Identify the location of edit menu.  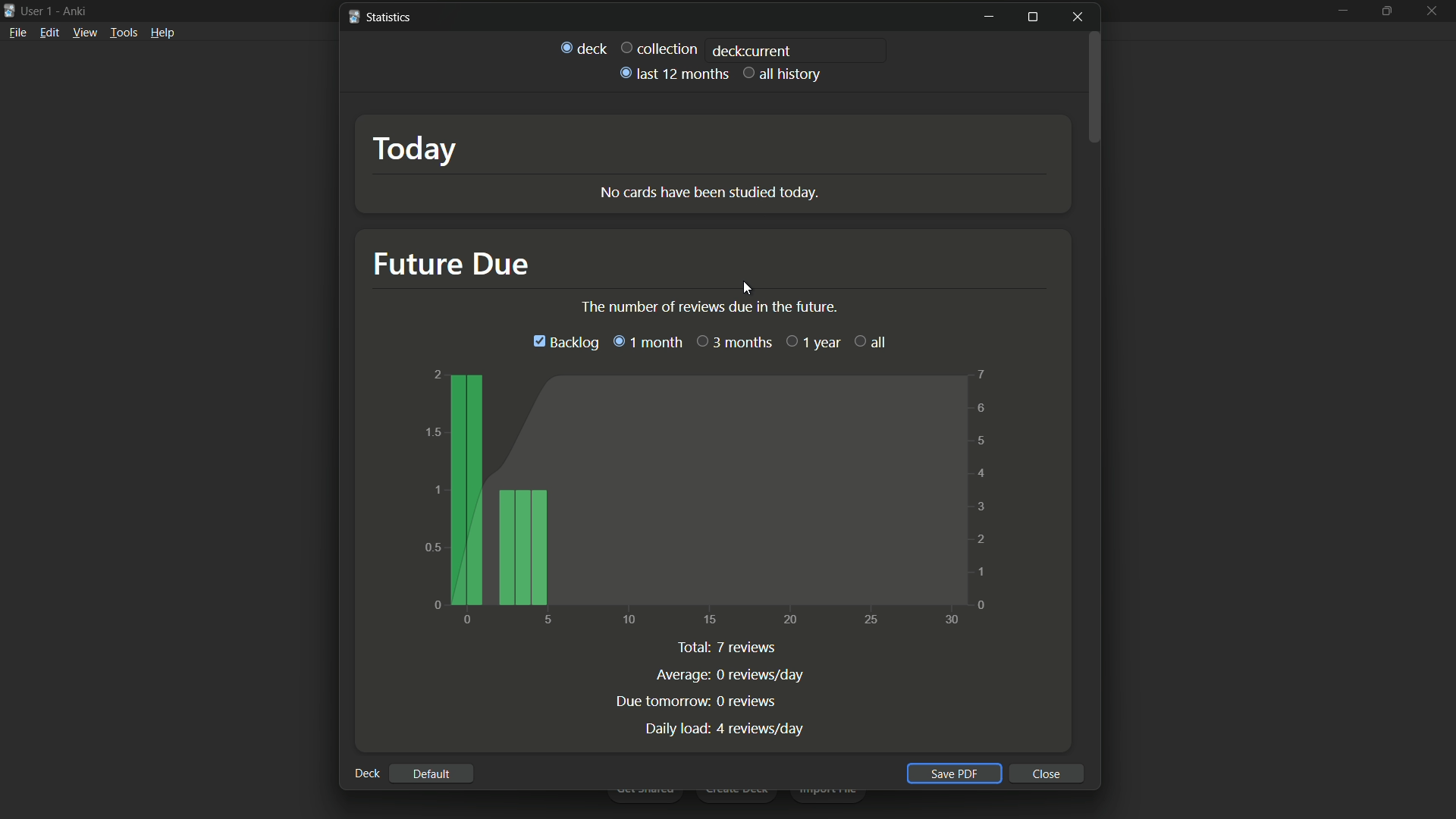
(49, 32).